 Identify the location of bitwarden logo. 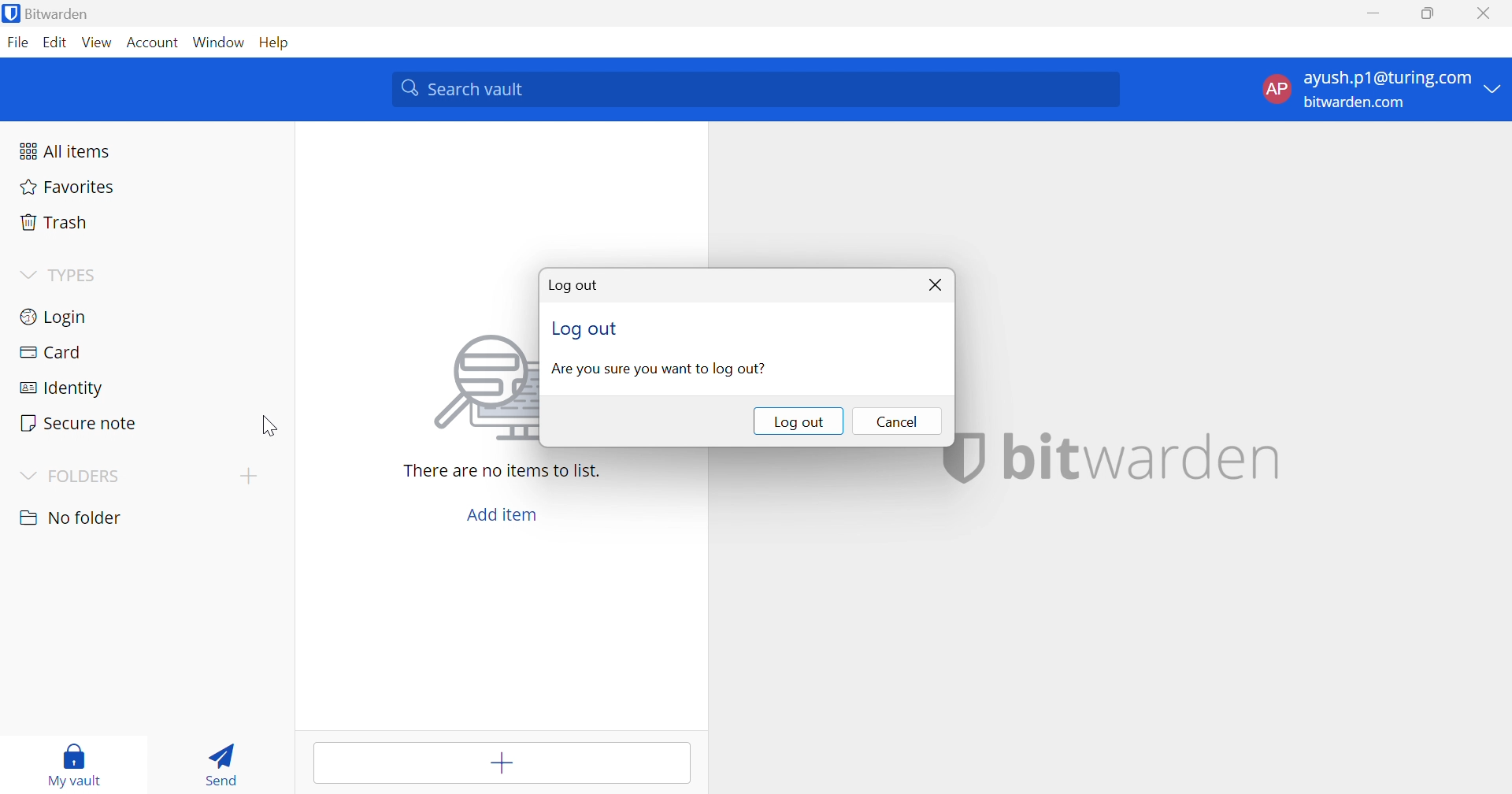
(965, 460).